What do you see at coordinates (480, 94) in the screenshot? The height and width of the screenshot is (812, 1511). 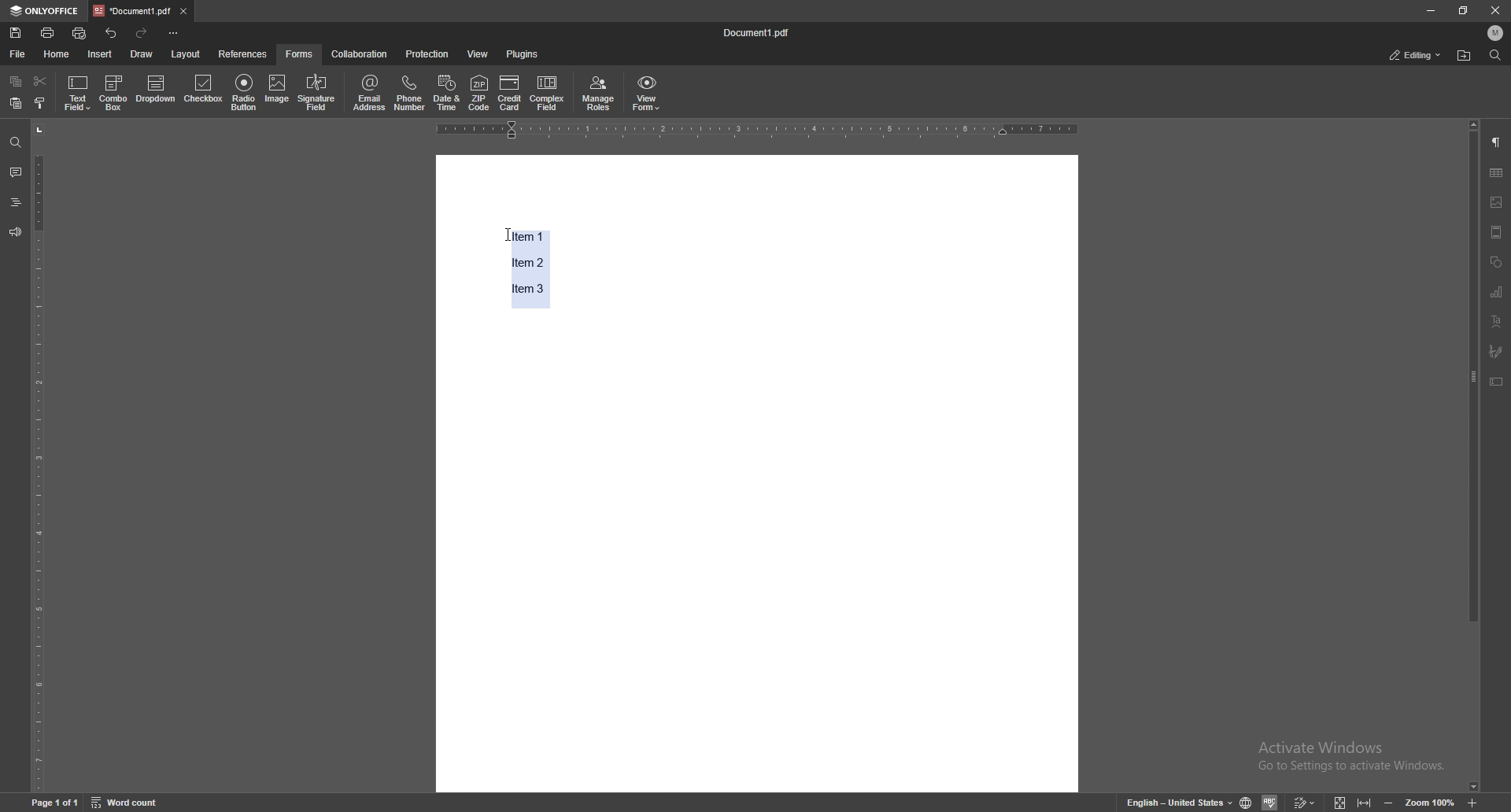 I see `zip code` at bounding box center [480, 94].